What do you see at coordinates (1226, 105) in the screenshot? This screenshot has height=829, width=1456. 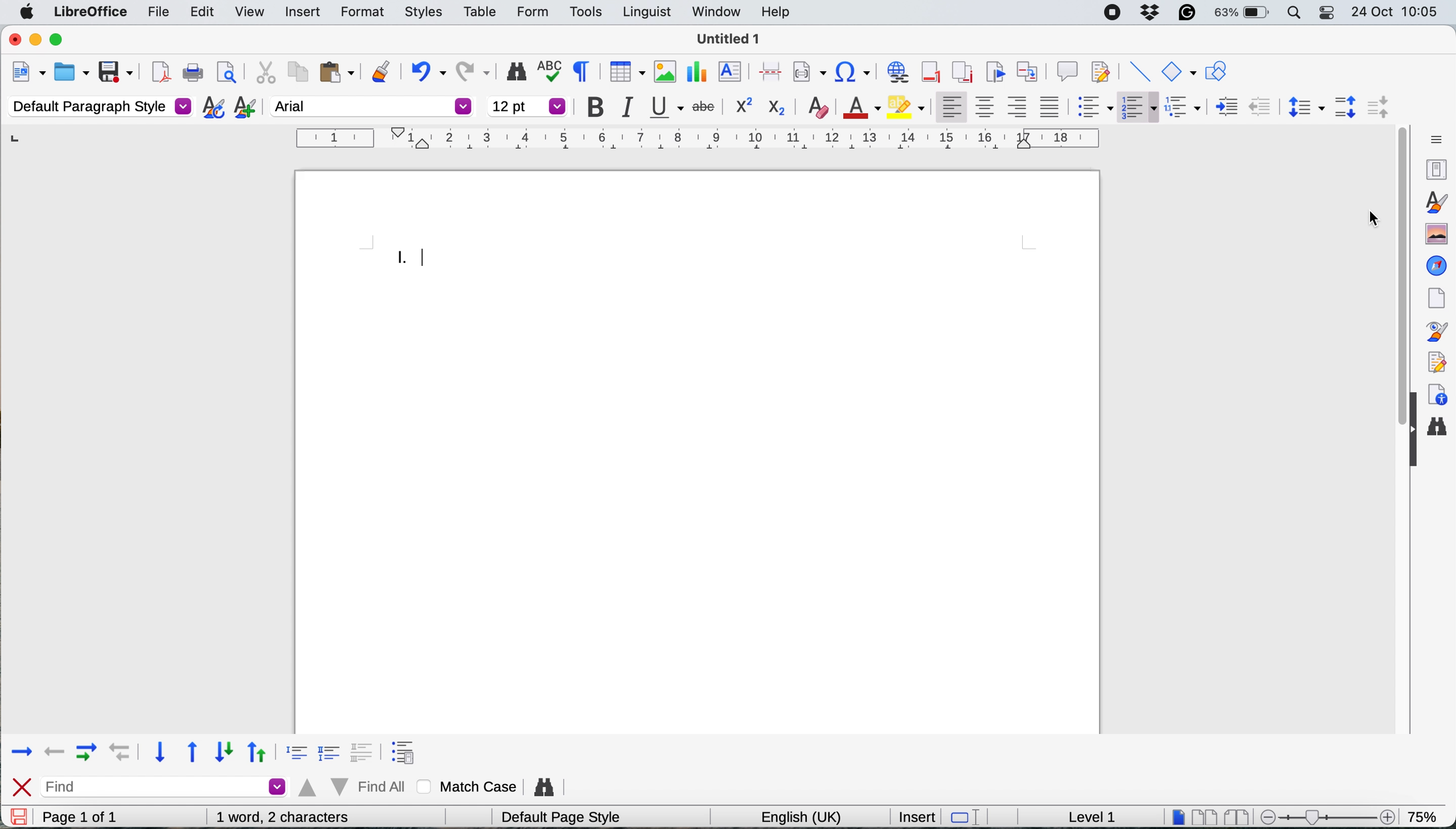 I see `decrease indent` at bounding box center [1226, 105].